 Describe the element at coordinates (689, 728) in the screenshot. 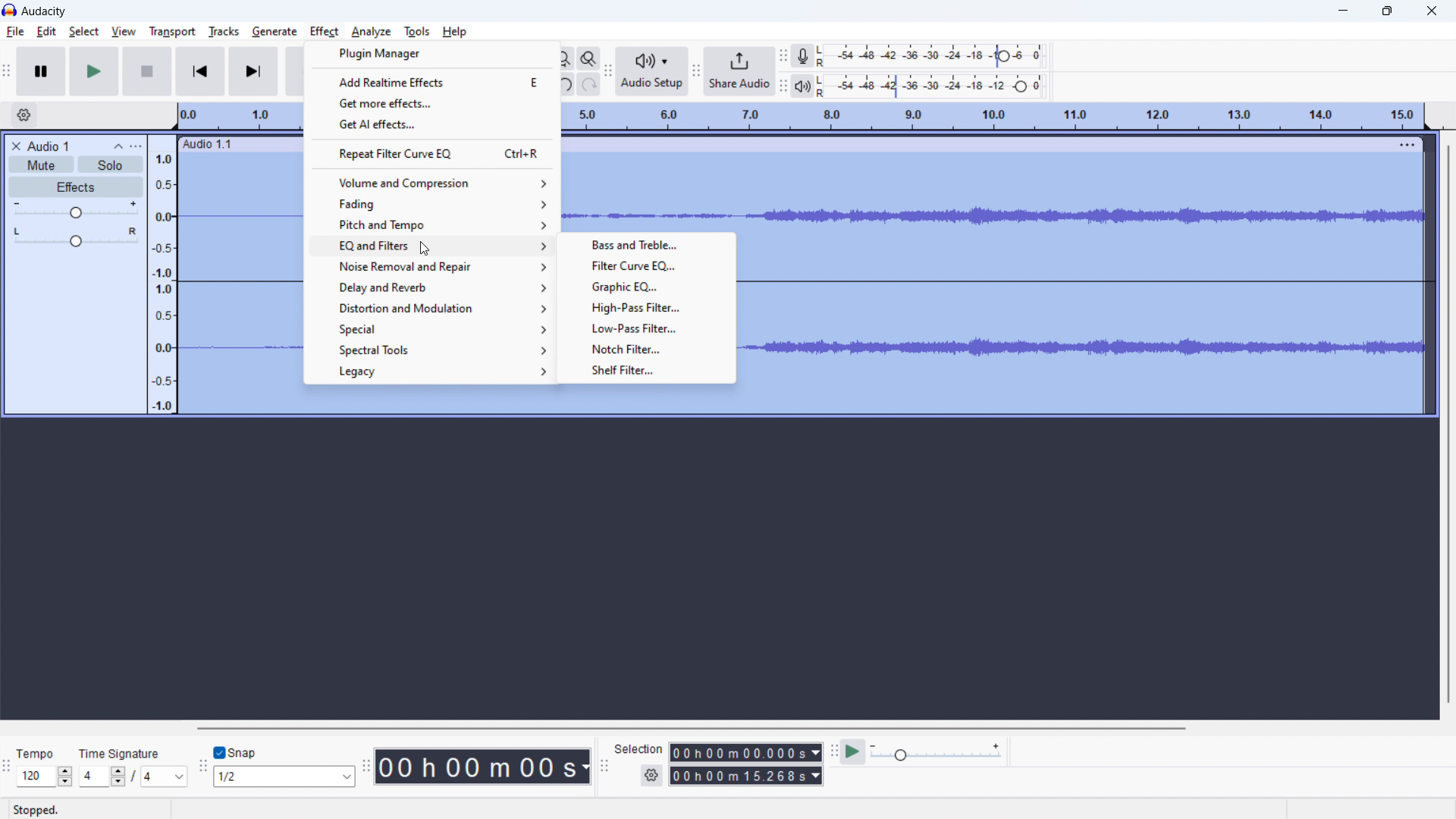

I see `horizontal scrollbar` at that location.